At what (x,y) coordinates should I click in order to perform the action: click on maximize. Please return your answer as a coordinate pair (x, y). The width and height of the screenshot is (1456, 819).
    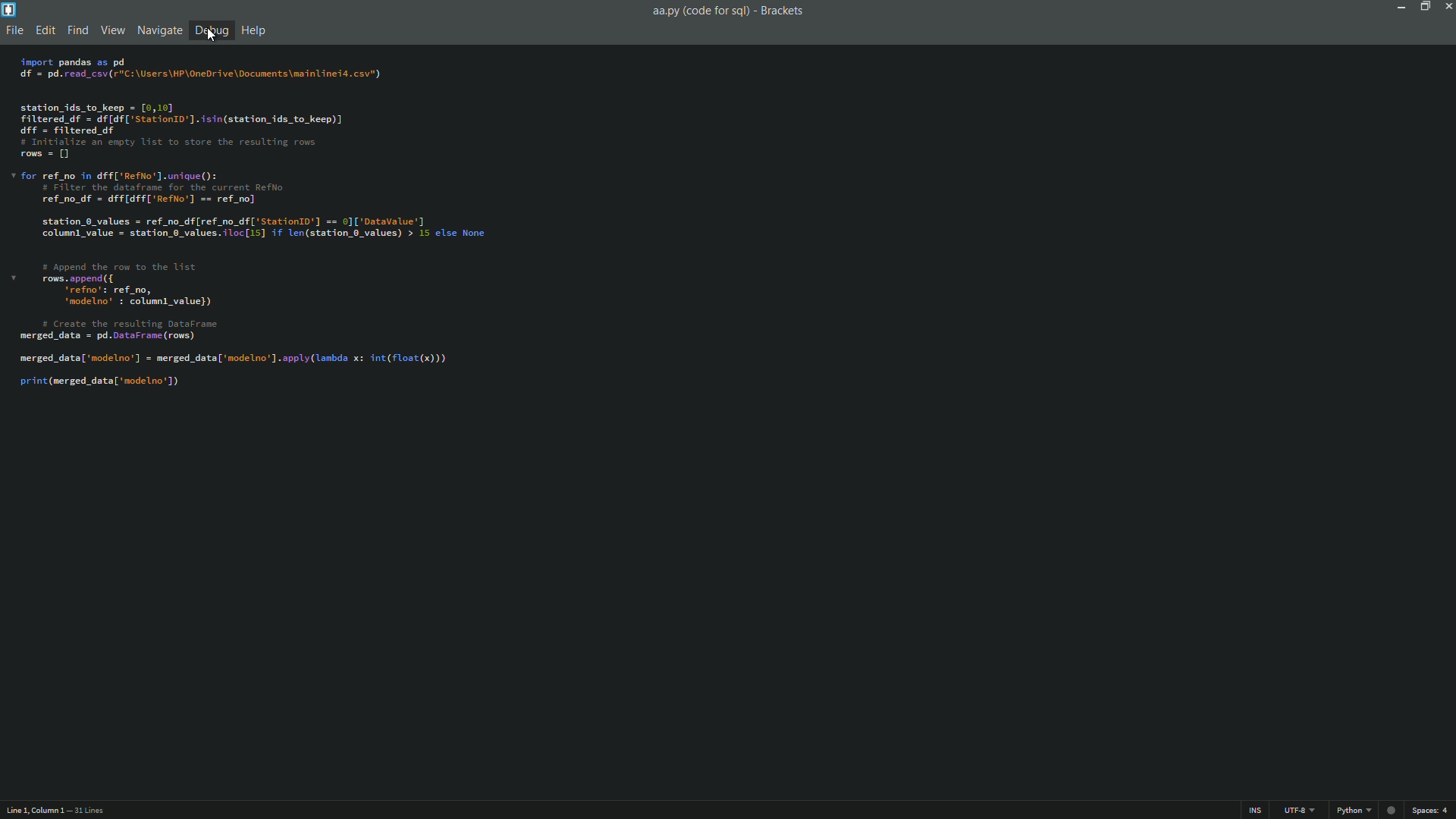
    Looking at the image, I should click on (1423, 7).